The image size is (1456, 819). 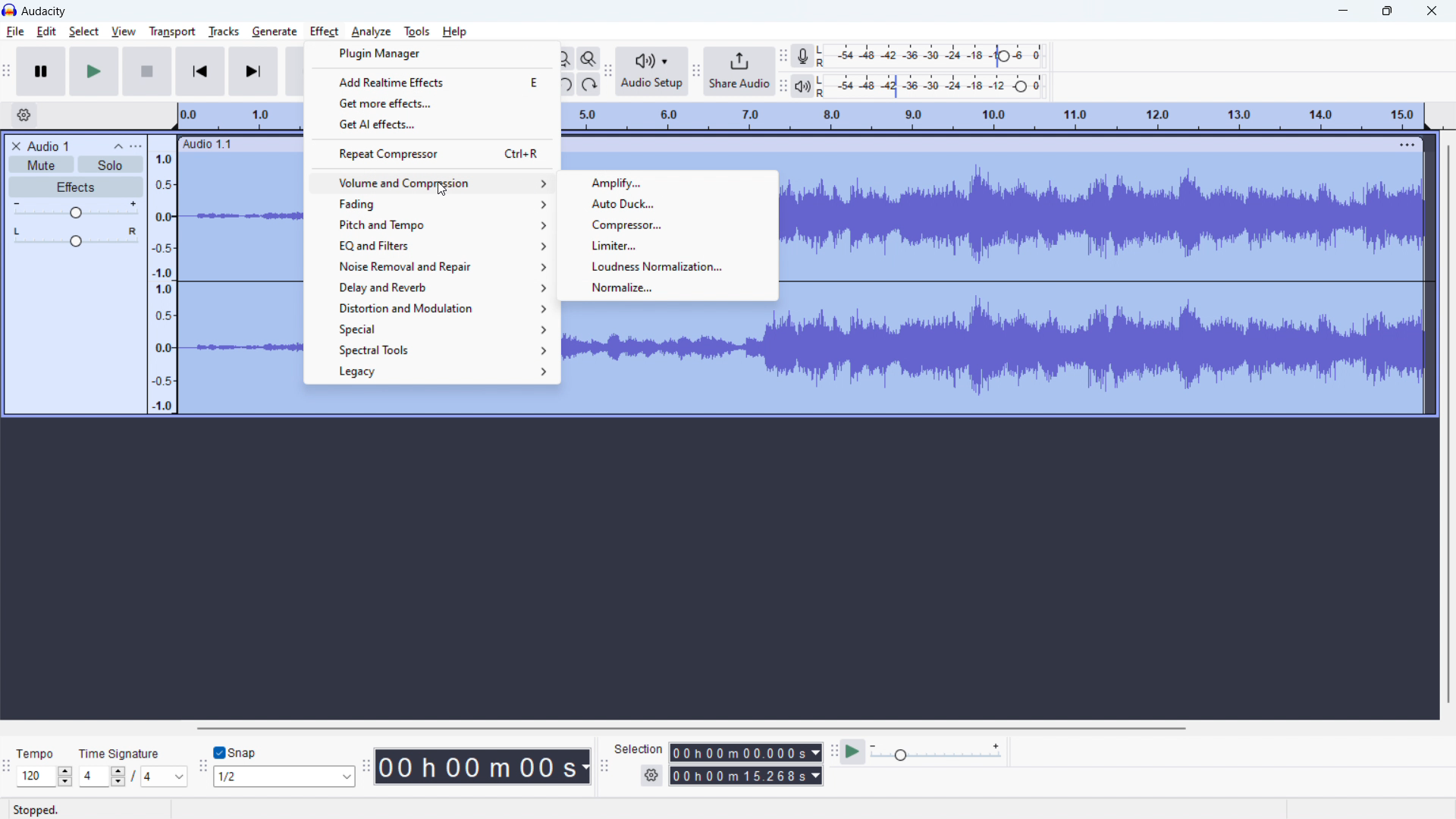 What do you see at coordinates (1388, 11) in the screenshot?
I see `maximize` at bounding box center [1388, 11].